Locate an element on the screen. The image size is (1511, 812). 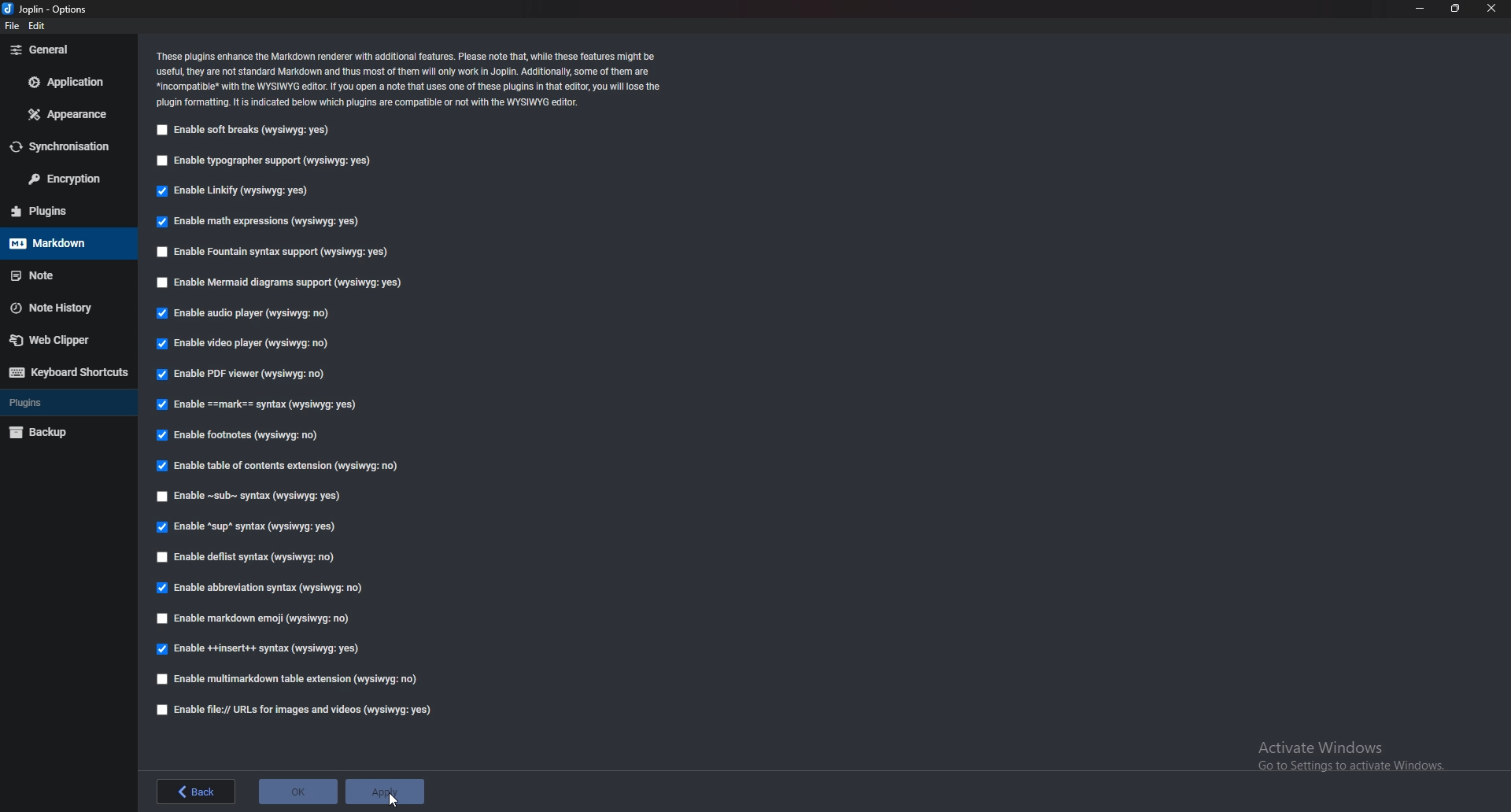
enable markdown emoji is located at coordinates (258, 620).